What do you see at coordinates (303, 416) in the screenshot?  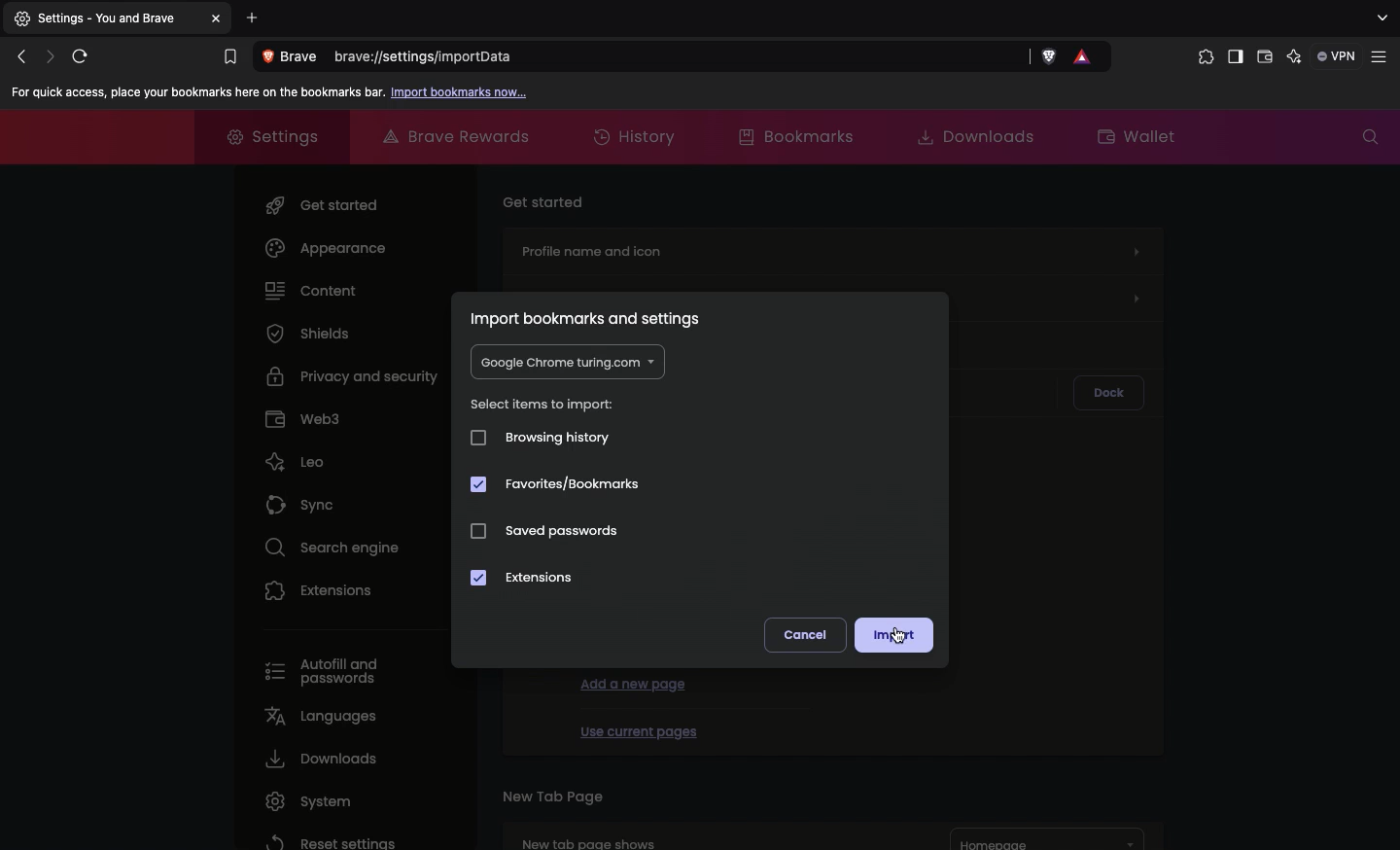 I see `Web3` at bounding box center [303, 416].